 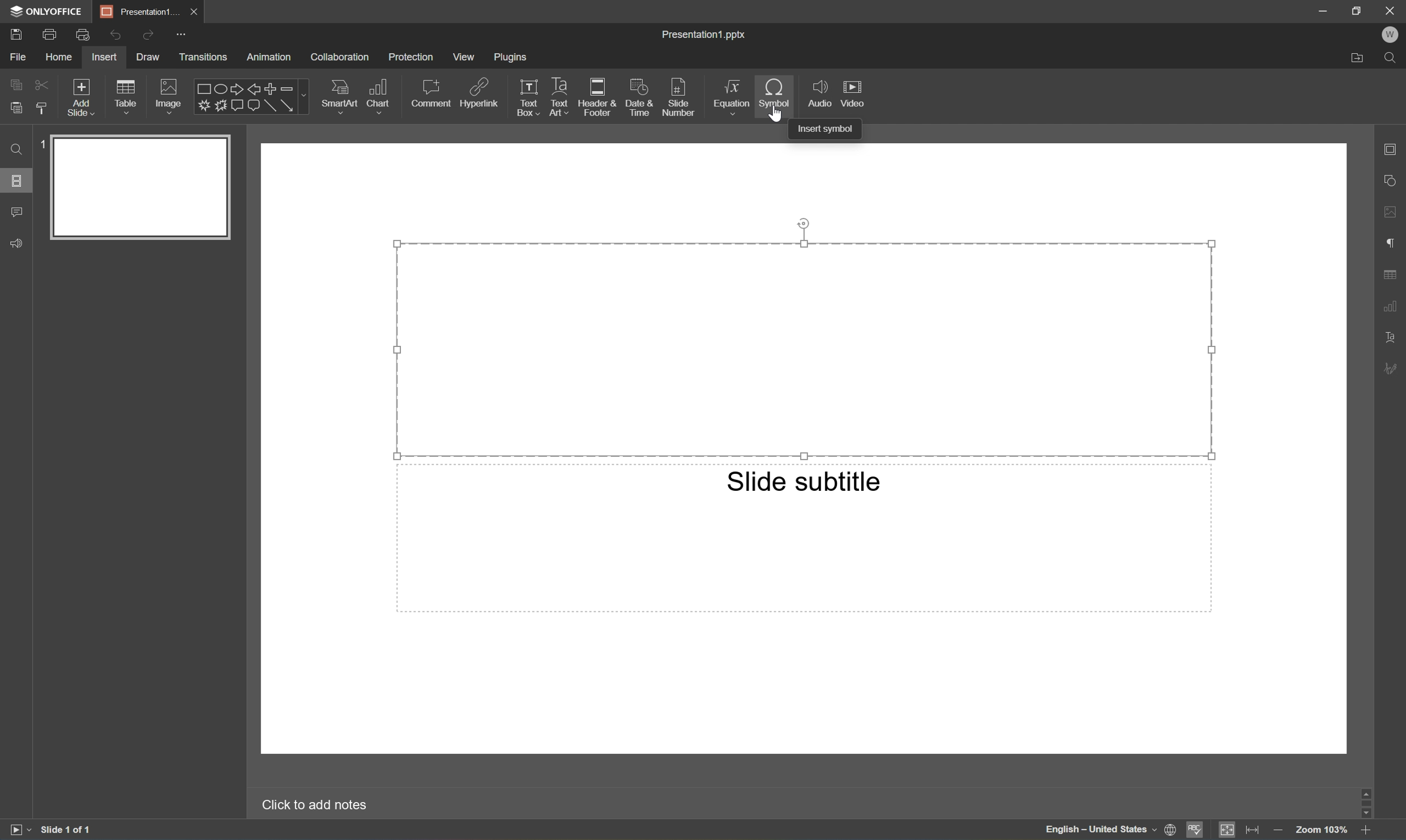 I want to click on Copy style, so click(x=41, y=109).